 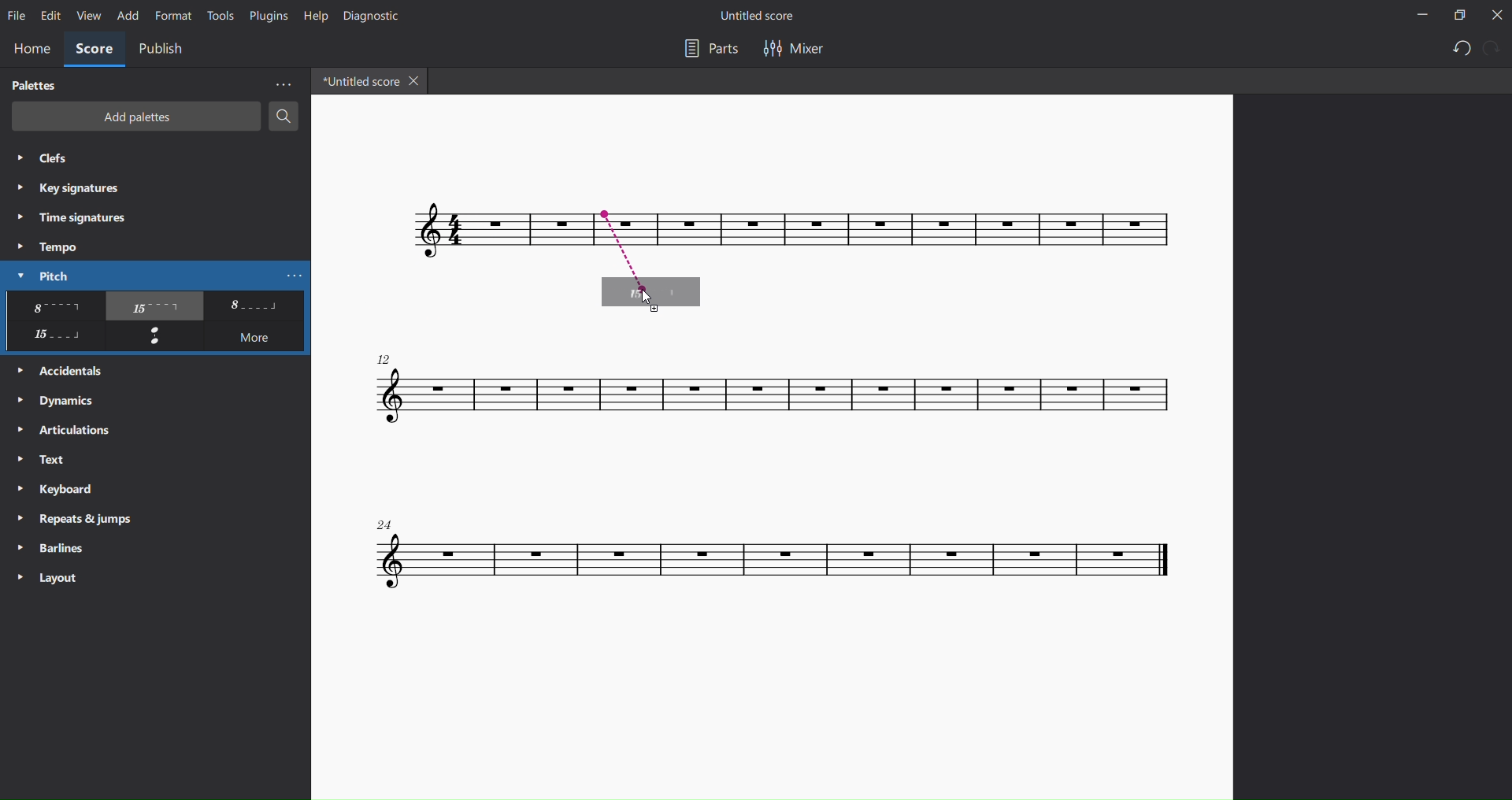 What do you see at coordinates (1459, 49) in the screenshot?
I see `undo` at bounding box center [1459, 49].